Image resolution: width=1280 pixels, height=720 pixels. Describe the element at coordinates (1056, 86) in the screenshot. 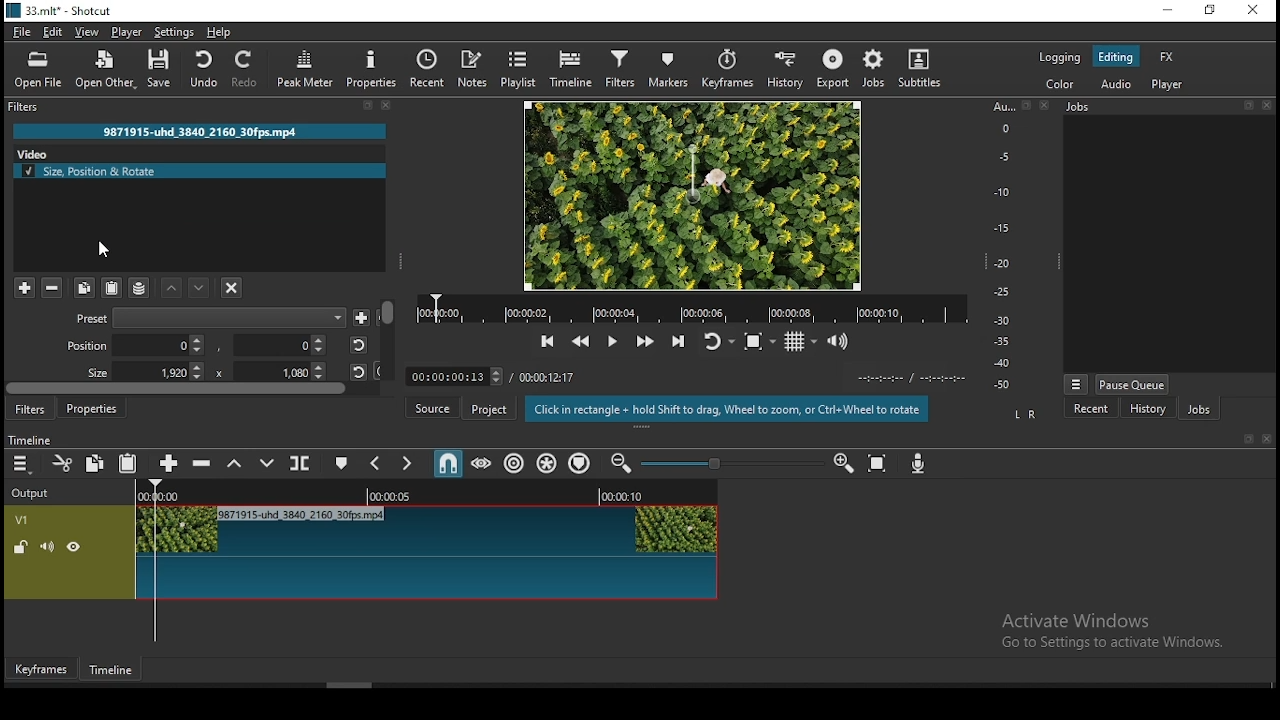

I see `color` at that location.